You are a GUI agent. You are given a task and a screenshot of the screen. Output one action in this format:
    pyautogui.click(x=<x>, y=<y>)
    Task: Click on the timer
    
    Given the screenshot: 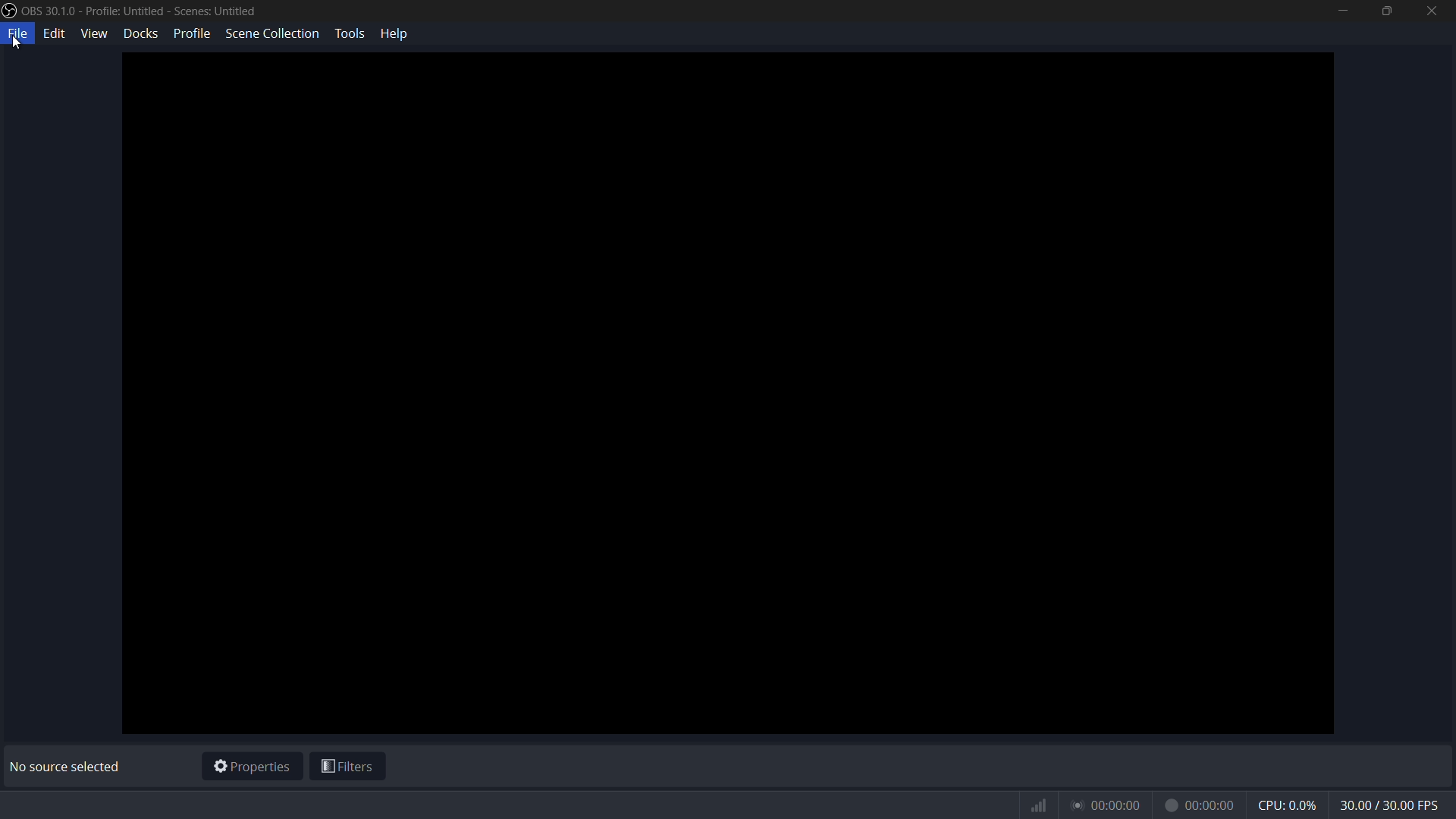 What is the action you would take?
    pyautogui.click(x=1132, y=805)
    